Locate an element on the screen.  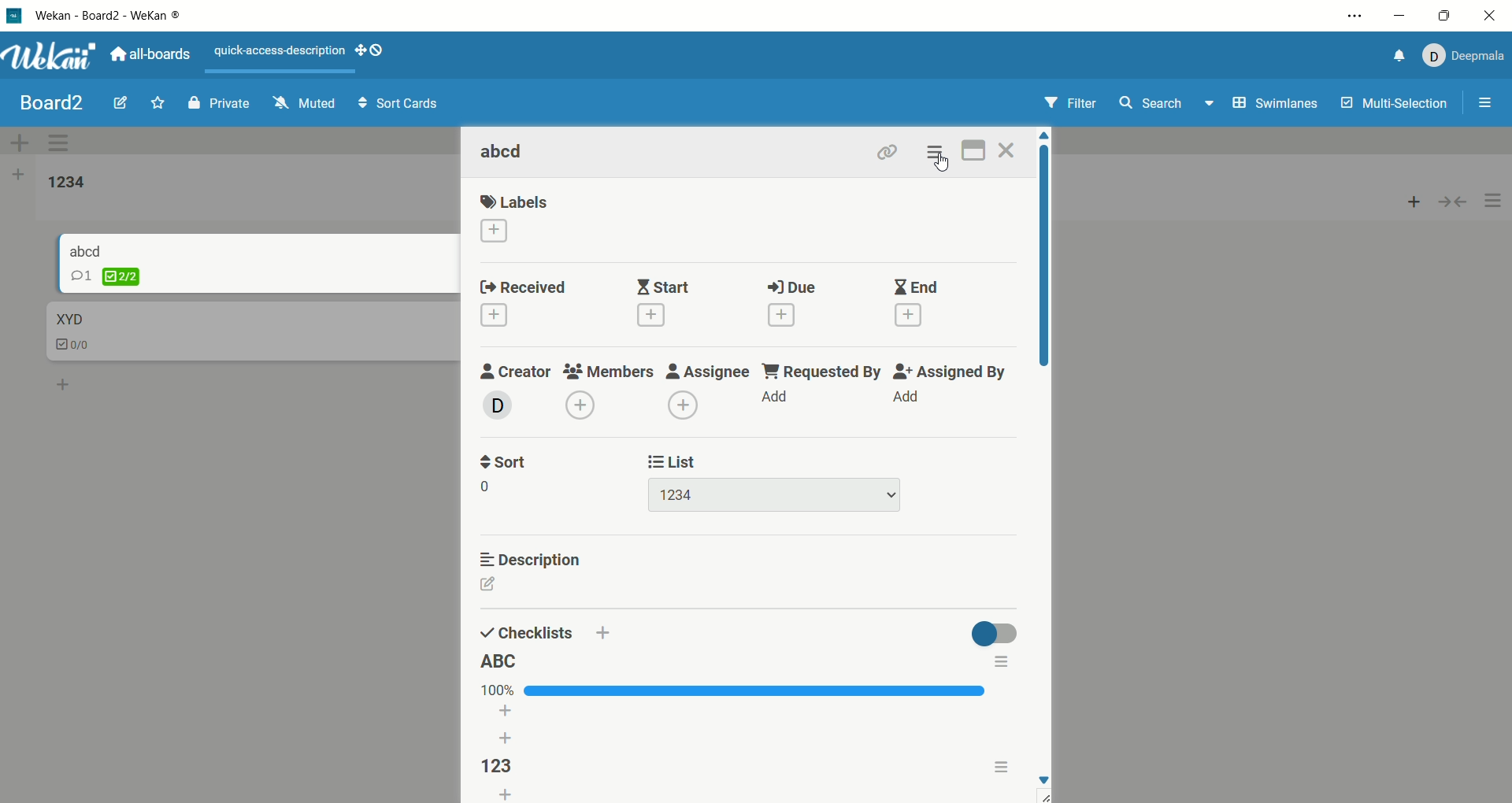
account is located at coordinates (1466, 57).